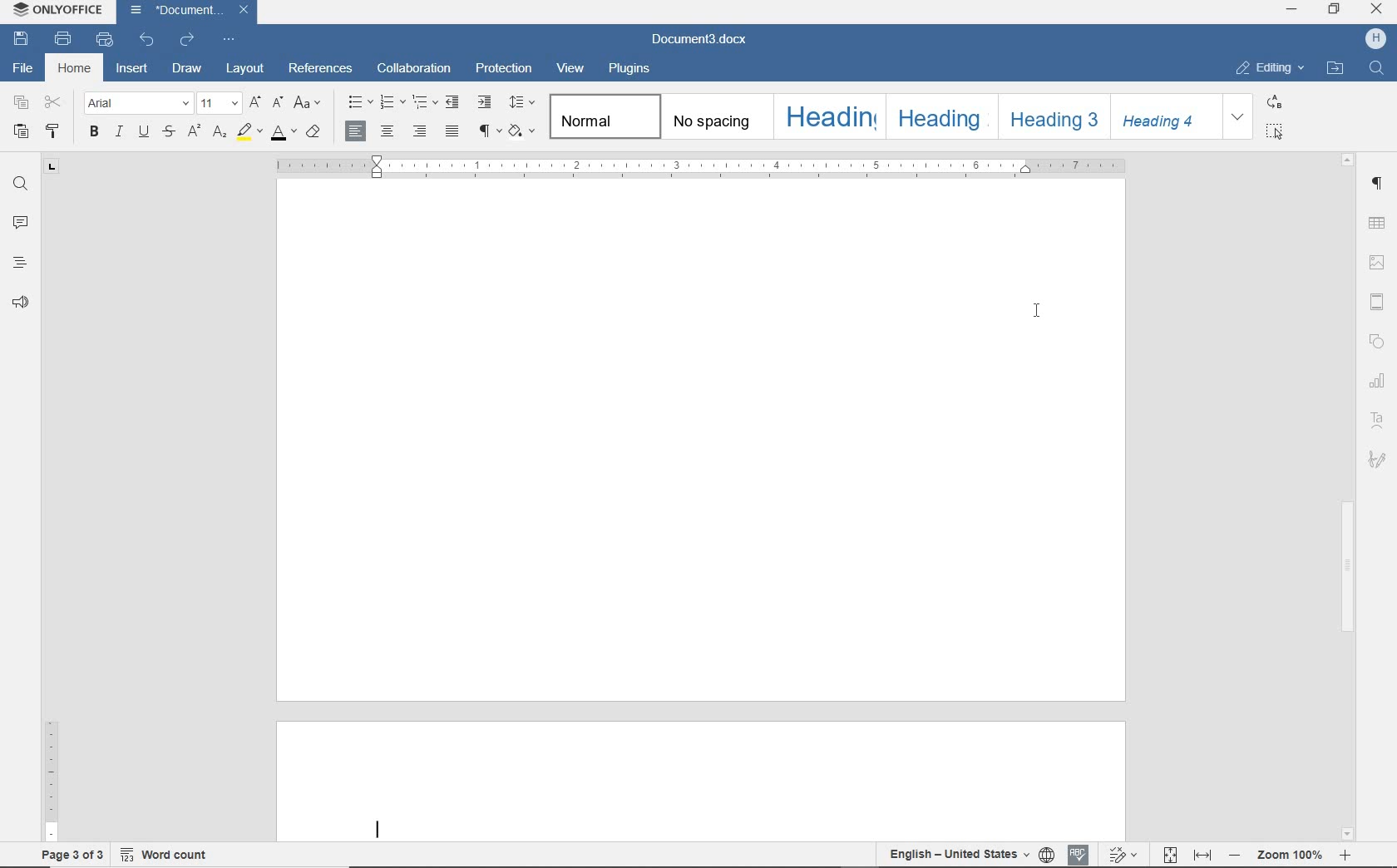 The height and width of the screenshot is (868, 1397). I want to click on DOCUMENT3.docx, so click(701, 40).